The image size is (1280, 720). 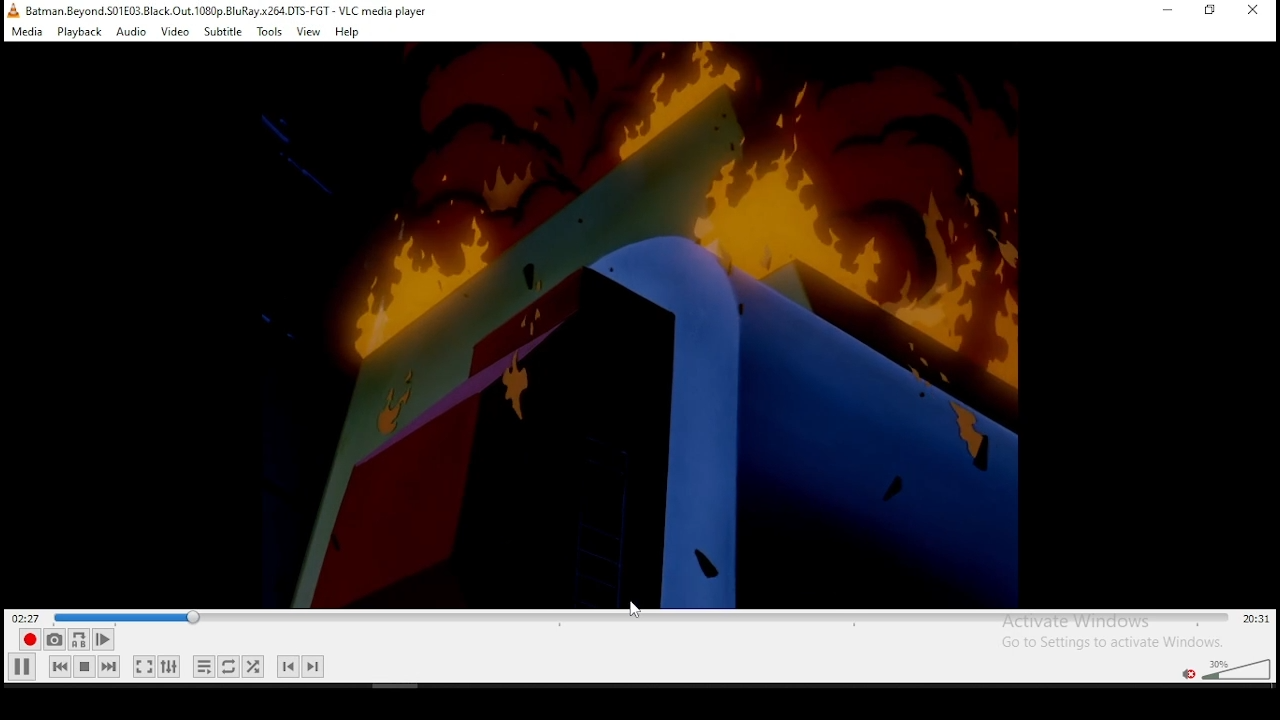 What do you see at coordinates (252, 666) in the screenshot?
I see `random` at bounding box center [252, 666].